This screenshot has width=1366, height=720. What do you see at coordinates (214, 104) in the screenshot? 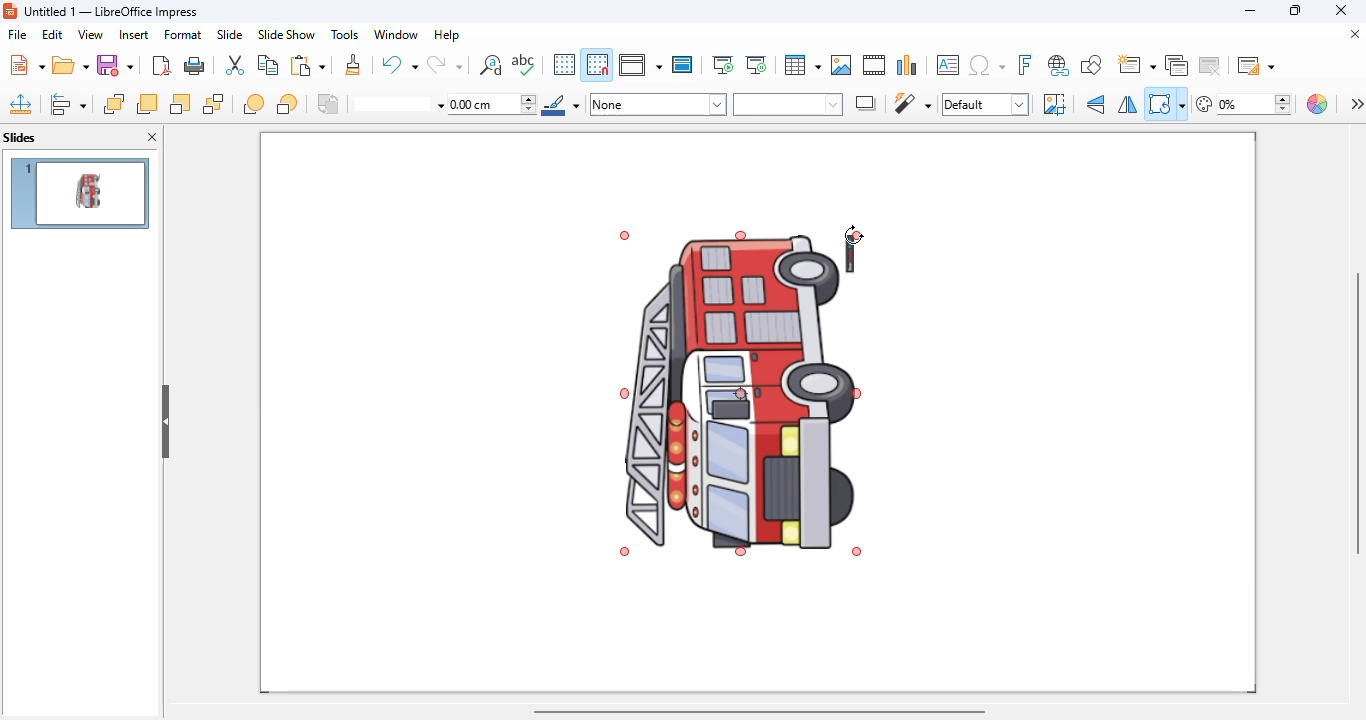
I see `send to back` at bounding box center [214, 104].